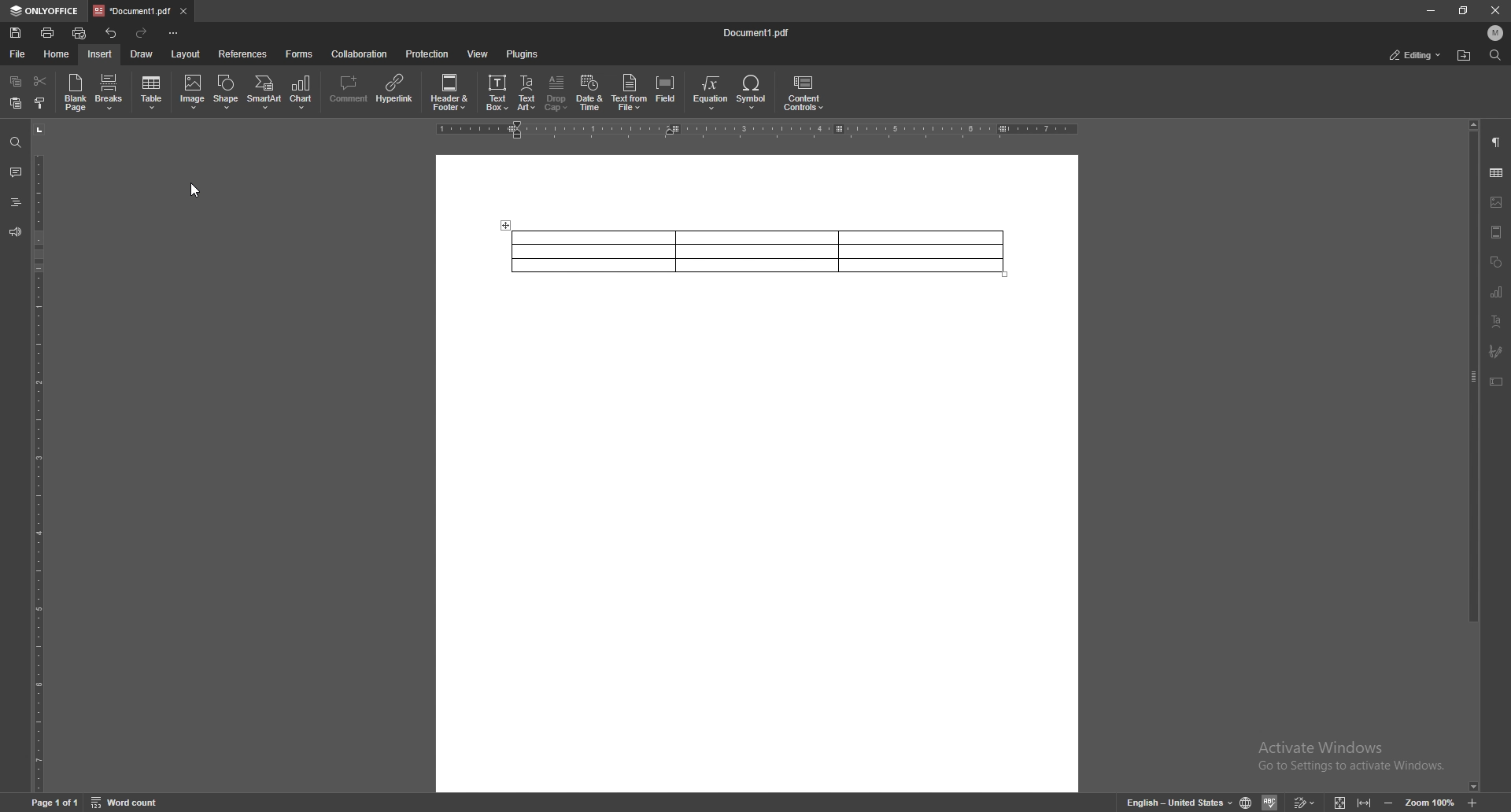 This screenshot has height=812, width=1511. Describe the element at coordinates (451, 93) in the screenshot. I see `header and footer` at that location.